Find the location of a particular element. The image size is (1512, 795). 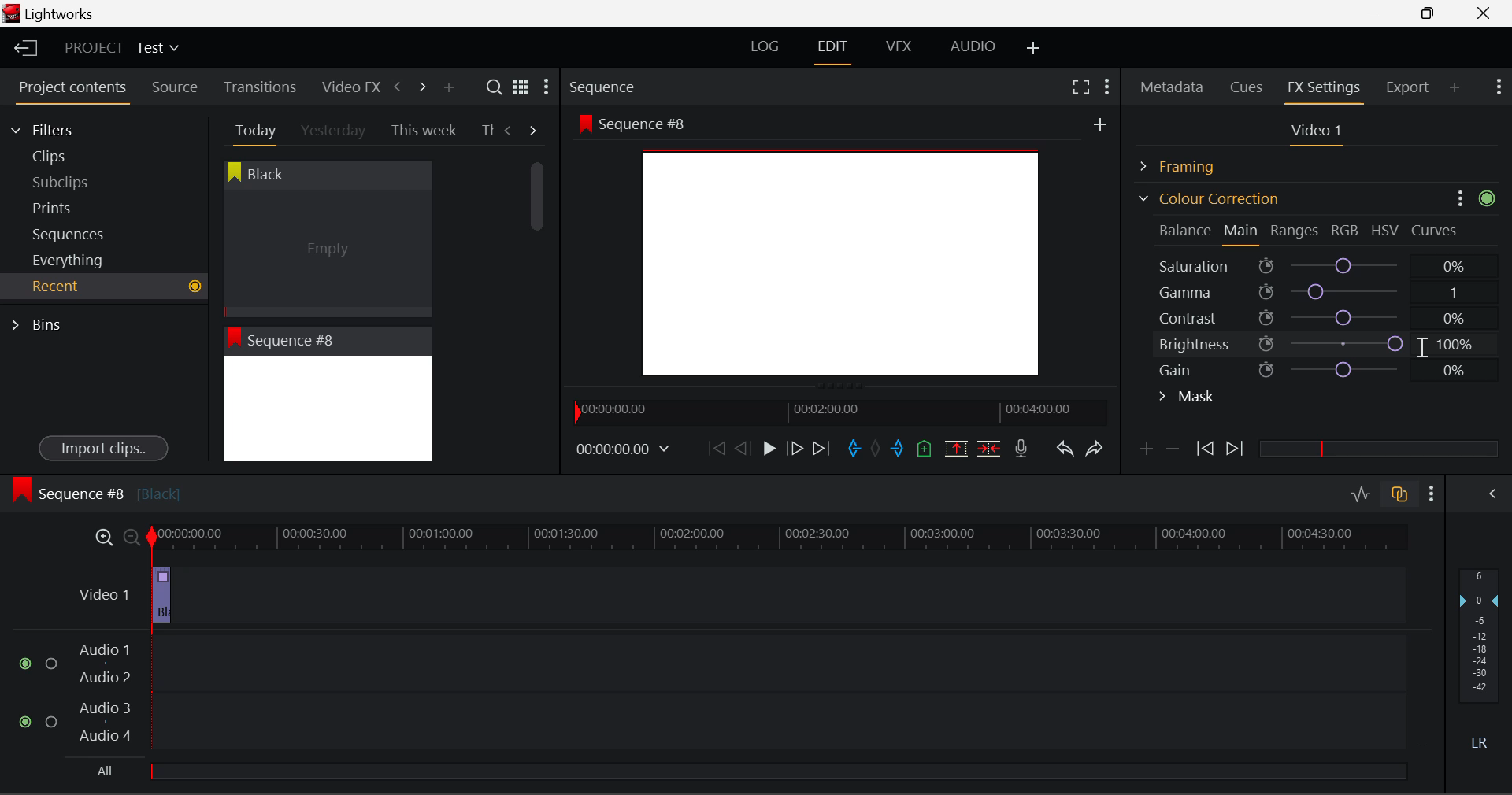

LOG Layout is located at coordinates (764, 46).